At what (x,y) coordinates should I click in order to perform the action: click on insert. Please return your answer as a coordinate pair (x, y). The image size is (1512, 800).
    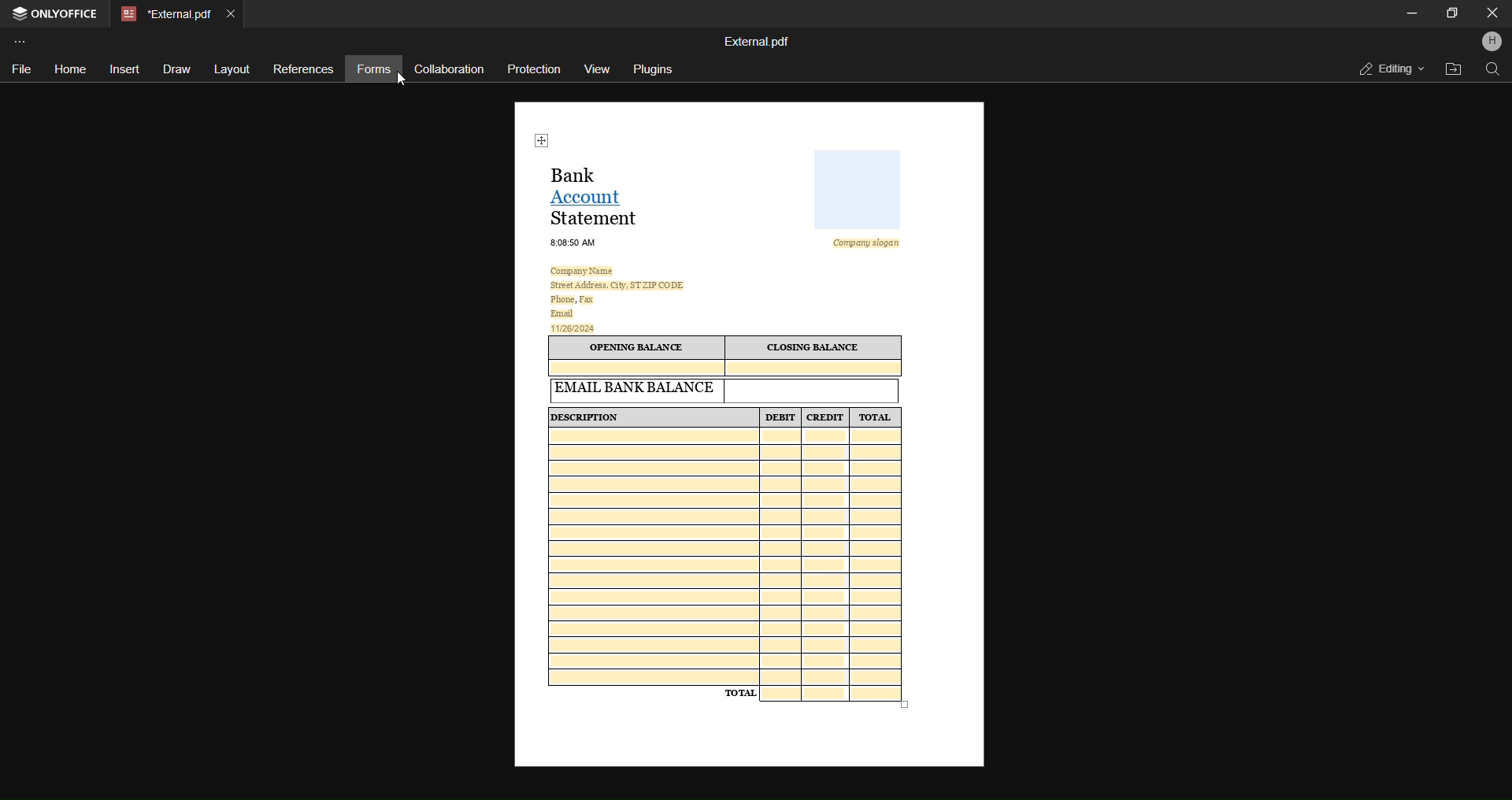
    Looking at the image, I should click on (119, 67).